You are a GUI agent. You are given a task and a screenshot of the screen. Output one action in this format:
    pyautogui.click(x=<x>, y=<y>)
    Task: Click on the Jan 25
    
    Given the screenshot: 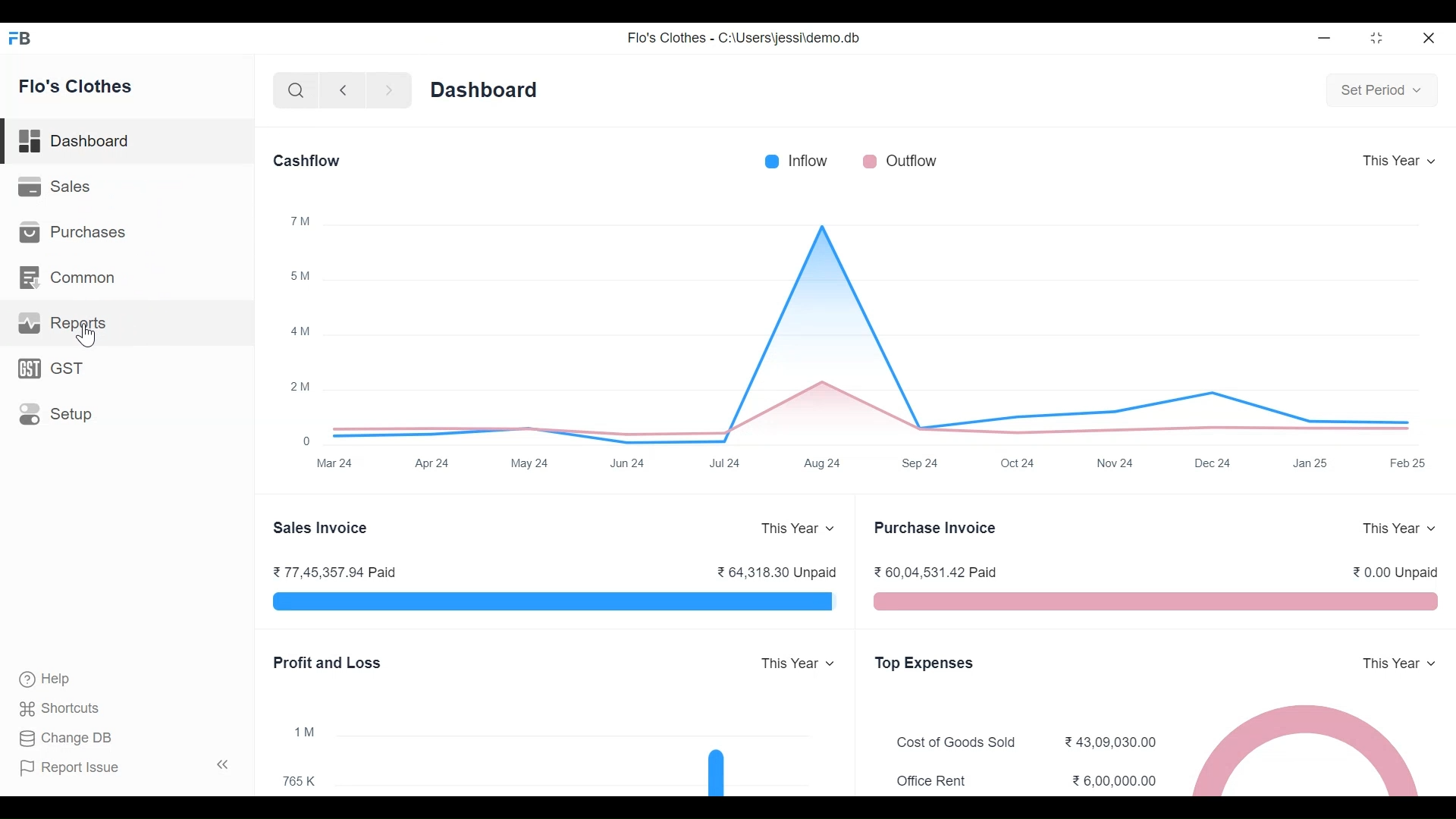 What is the action you would take?
    pyautogui.click(x=1310, y=462)
    